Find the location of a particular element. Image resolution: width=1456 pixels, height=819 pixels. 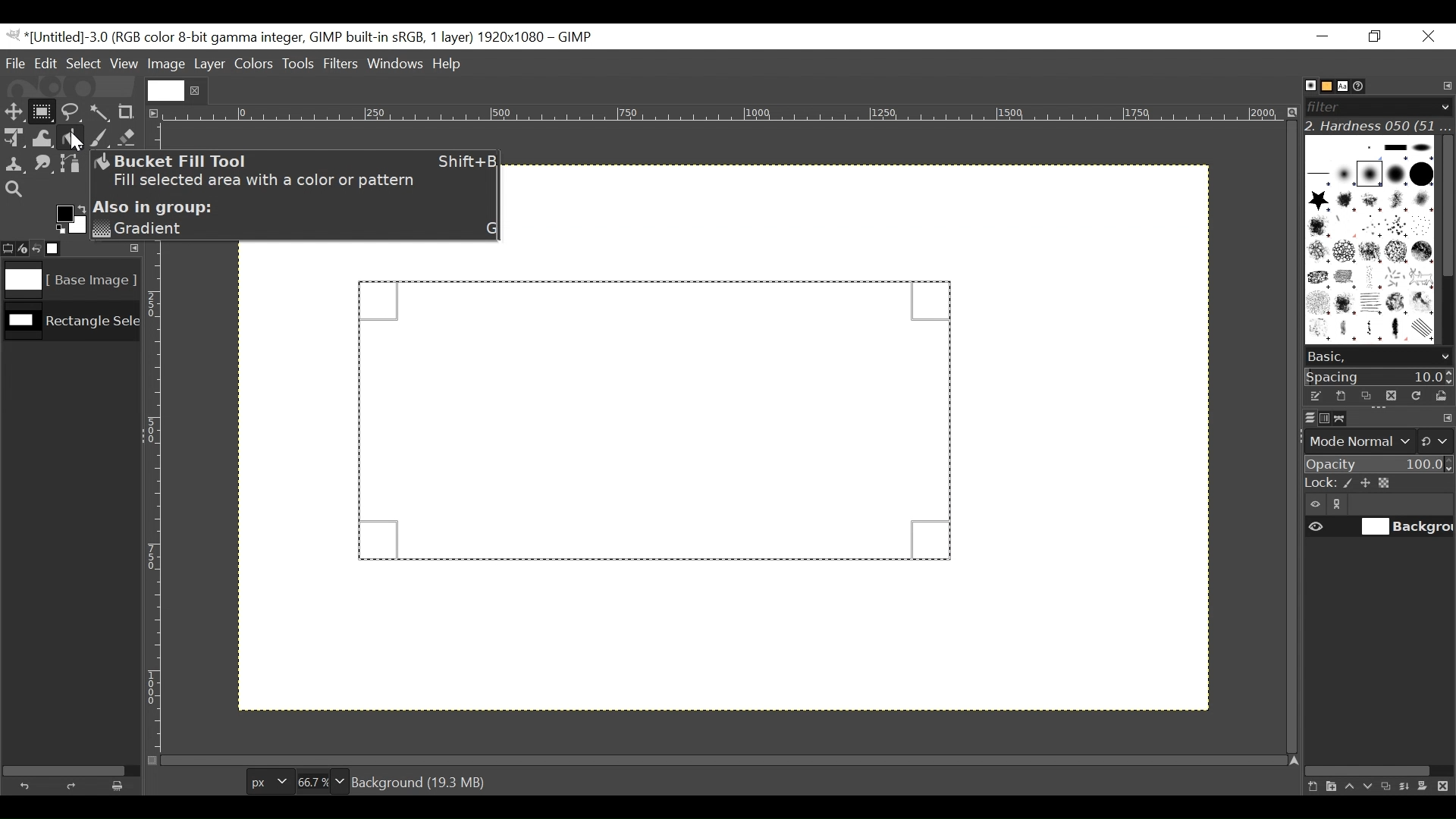

Images is located at coordinates (63, 249).